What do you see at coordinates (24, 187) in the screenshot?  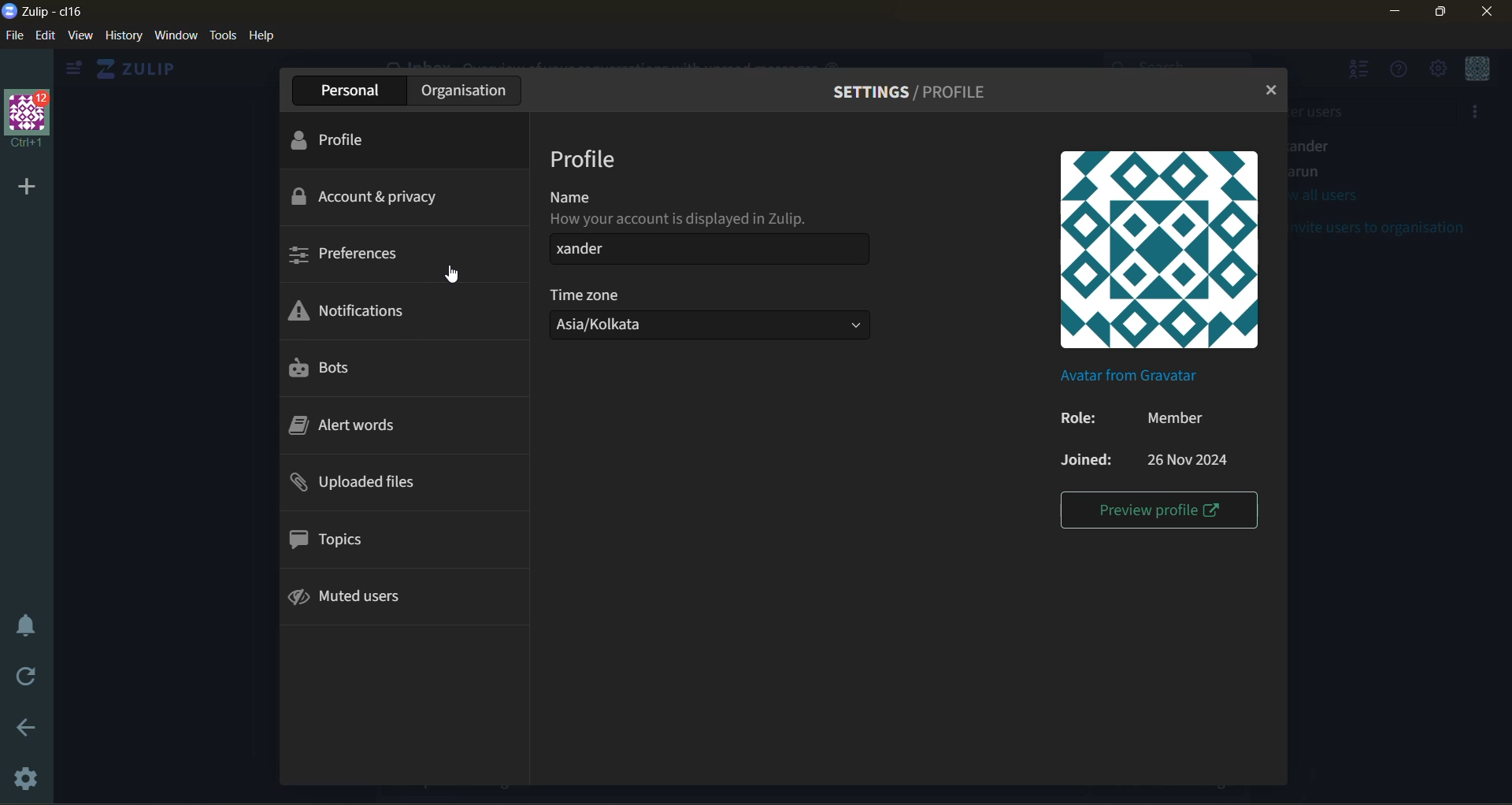 I see `add organisation` at bounding box center [24, 187].